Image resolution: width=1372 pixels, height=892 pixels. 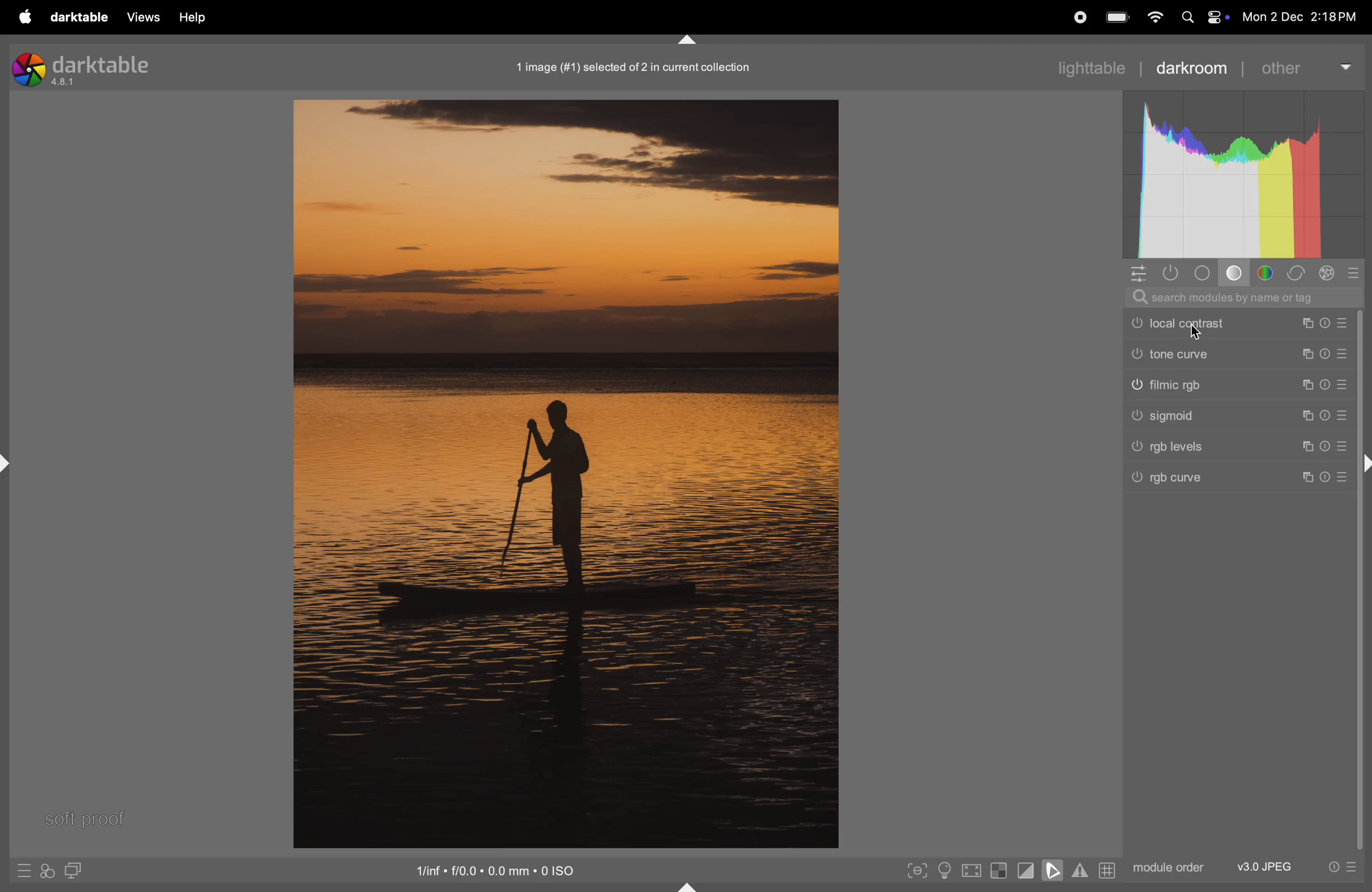 I want to click on base, so click(x=1203, y=272).